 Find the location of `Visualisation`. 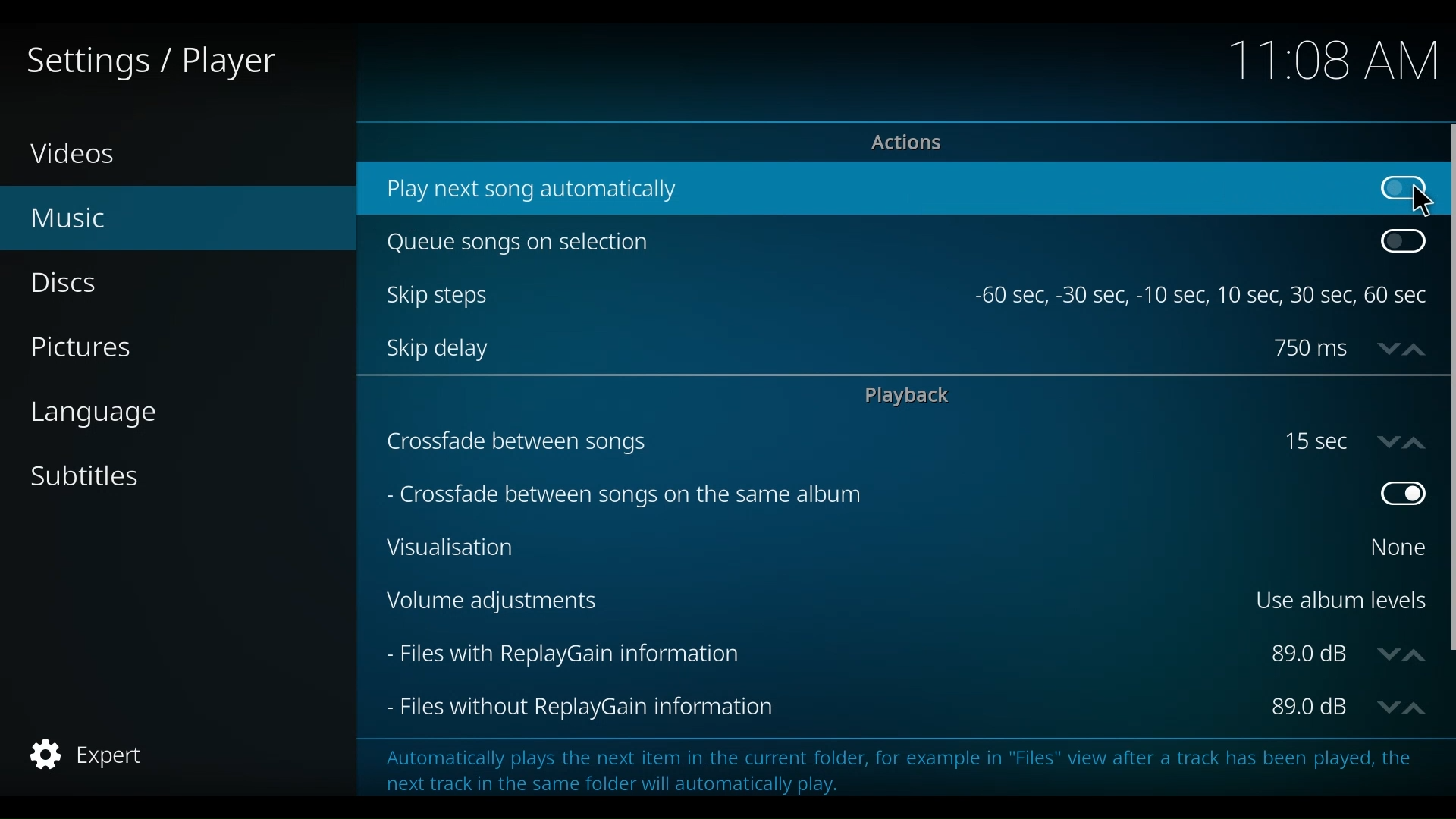

Visualisation is located at coordinates (862, 547).